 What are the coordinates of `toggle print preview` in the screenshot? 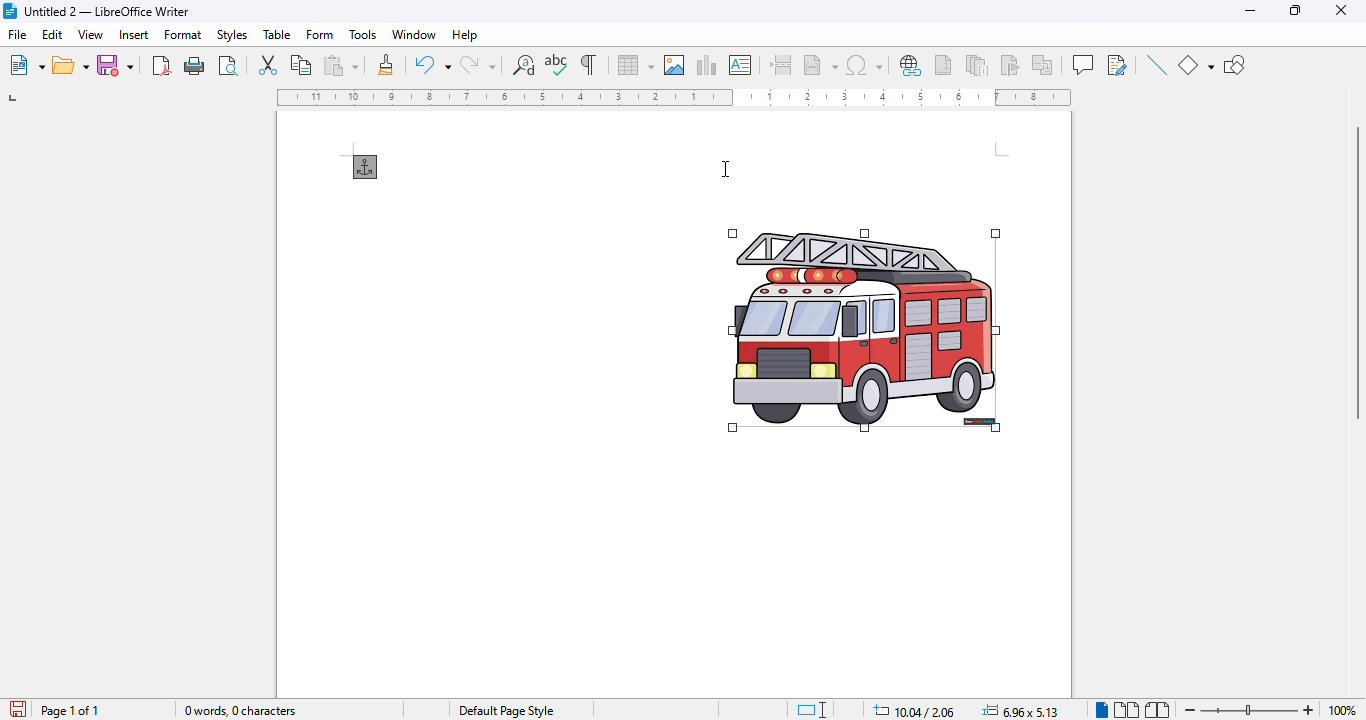 It's located at (228, 65).